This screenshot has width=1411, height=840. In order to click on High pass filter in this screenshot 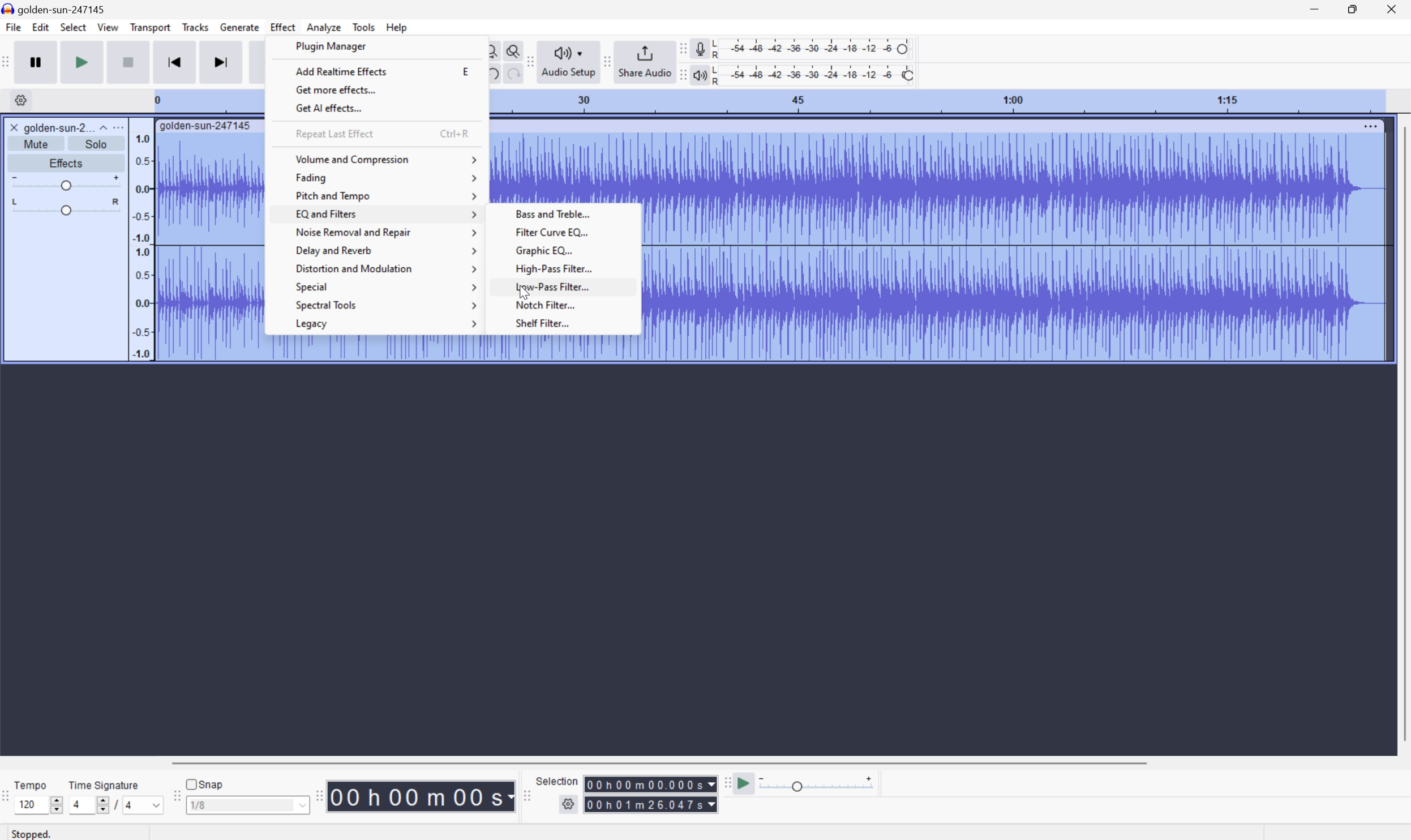, I will do `click(572, 268)`.